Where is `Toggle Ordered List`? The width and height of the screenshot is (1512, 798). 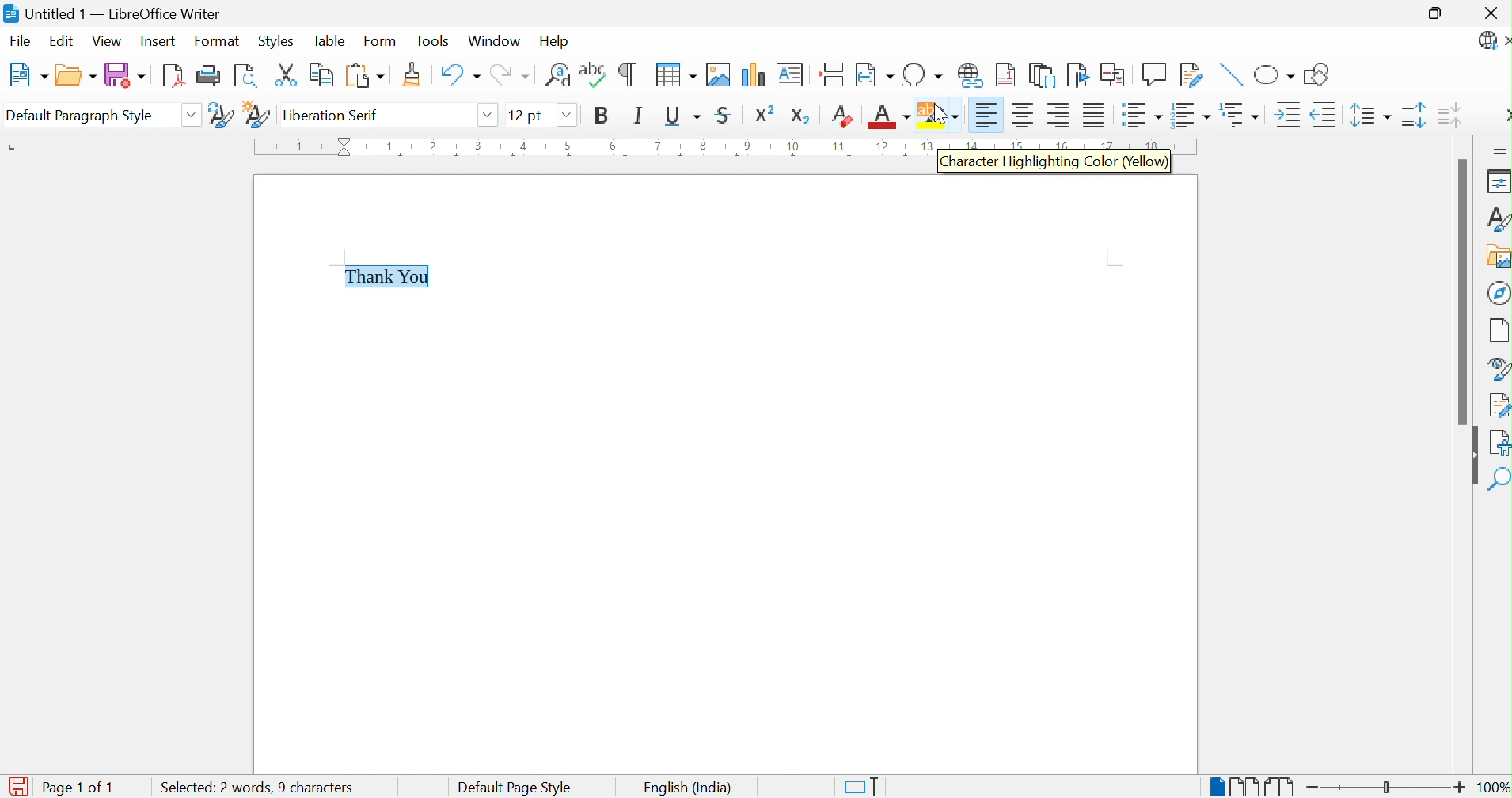
Toggle Ordered List is located at coordinates (1189, 114).